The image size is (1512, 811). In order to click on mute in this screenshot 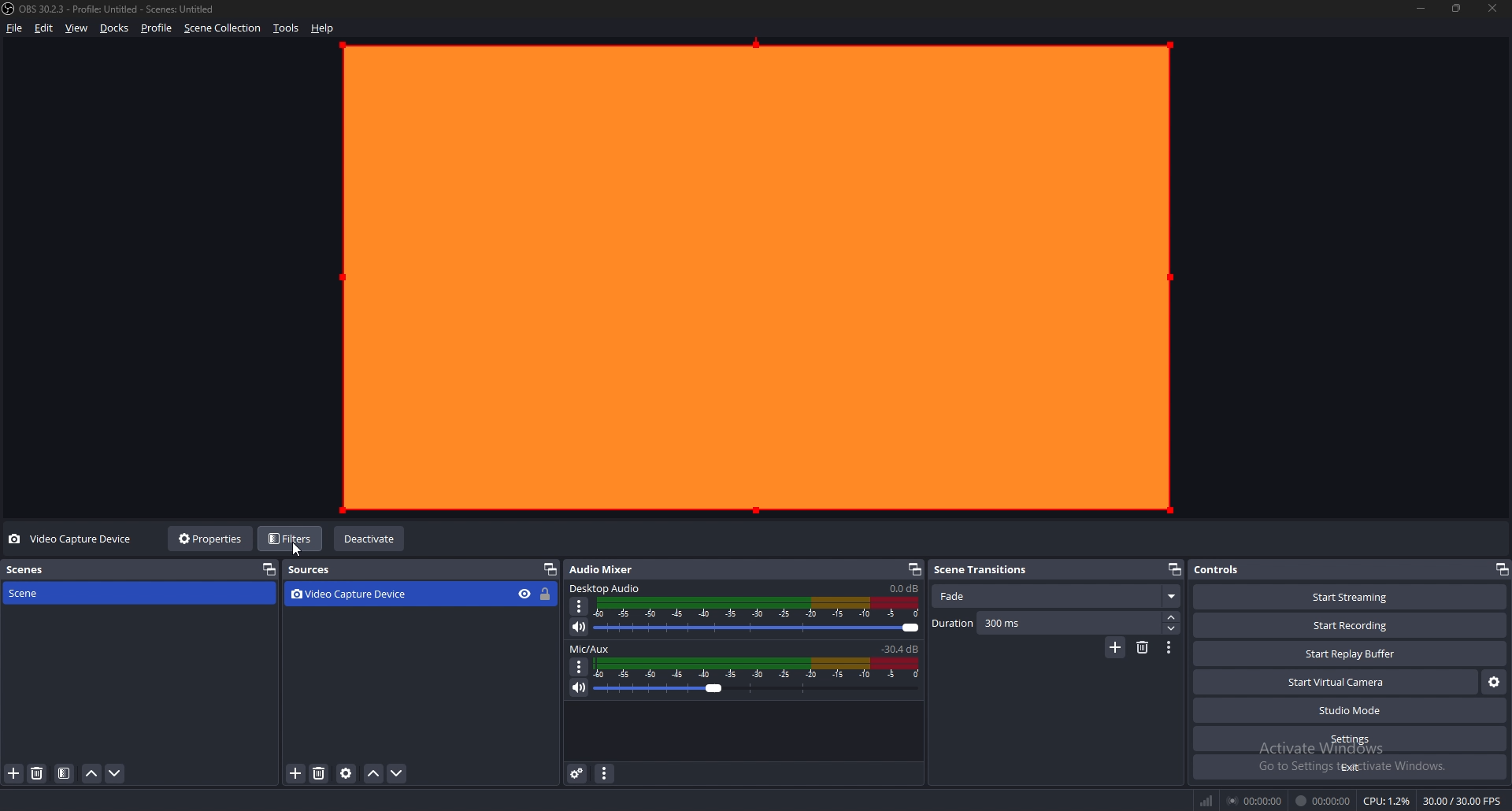, I will do `click(580, 688)`.